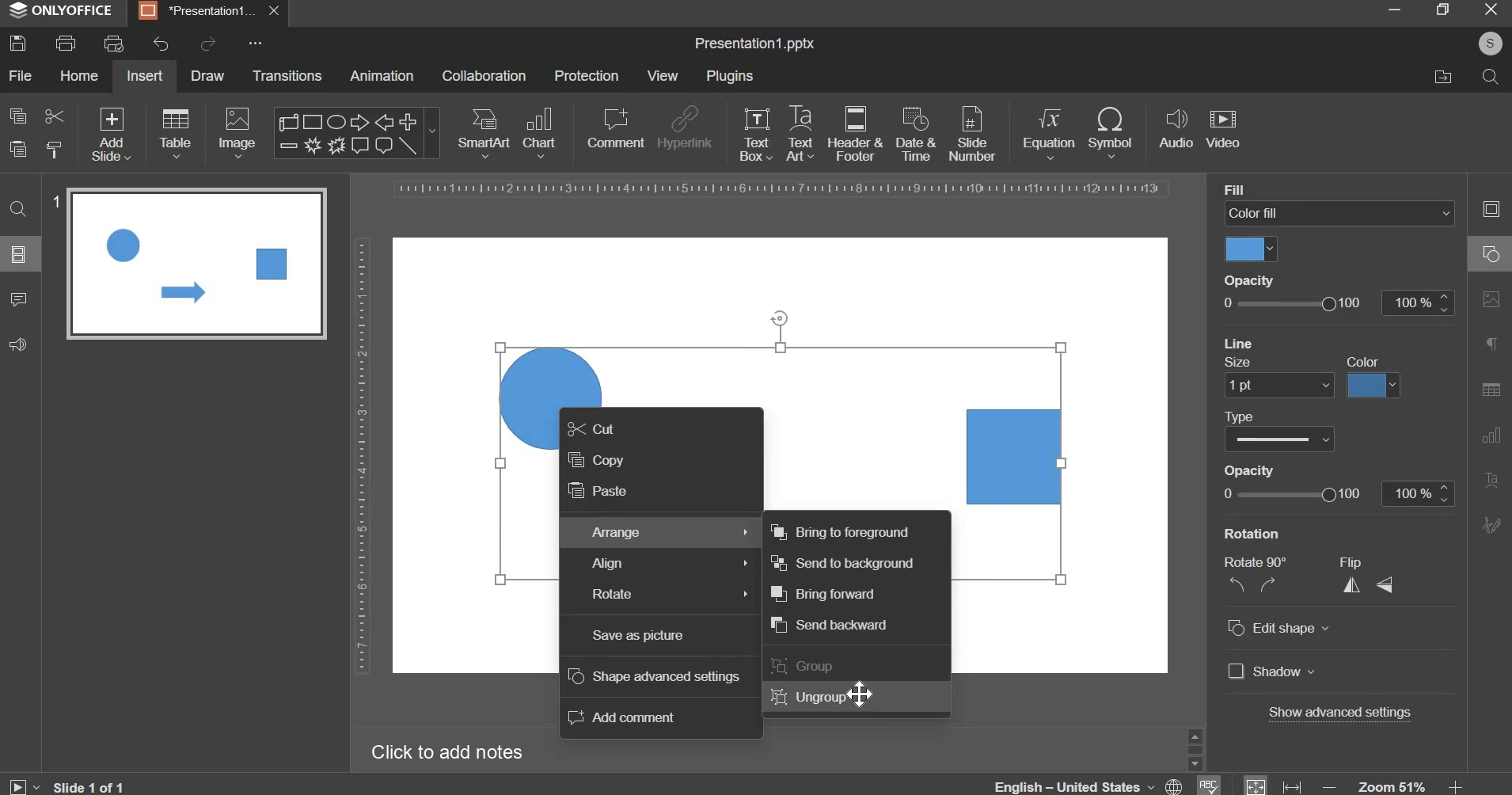 The image size is (1512, 795). What do you see at coordinates (1278, 629) in the screenshot?
I see `edit shape` at bounding box center [1278, 629].